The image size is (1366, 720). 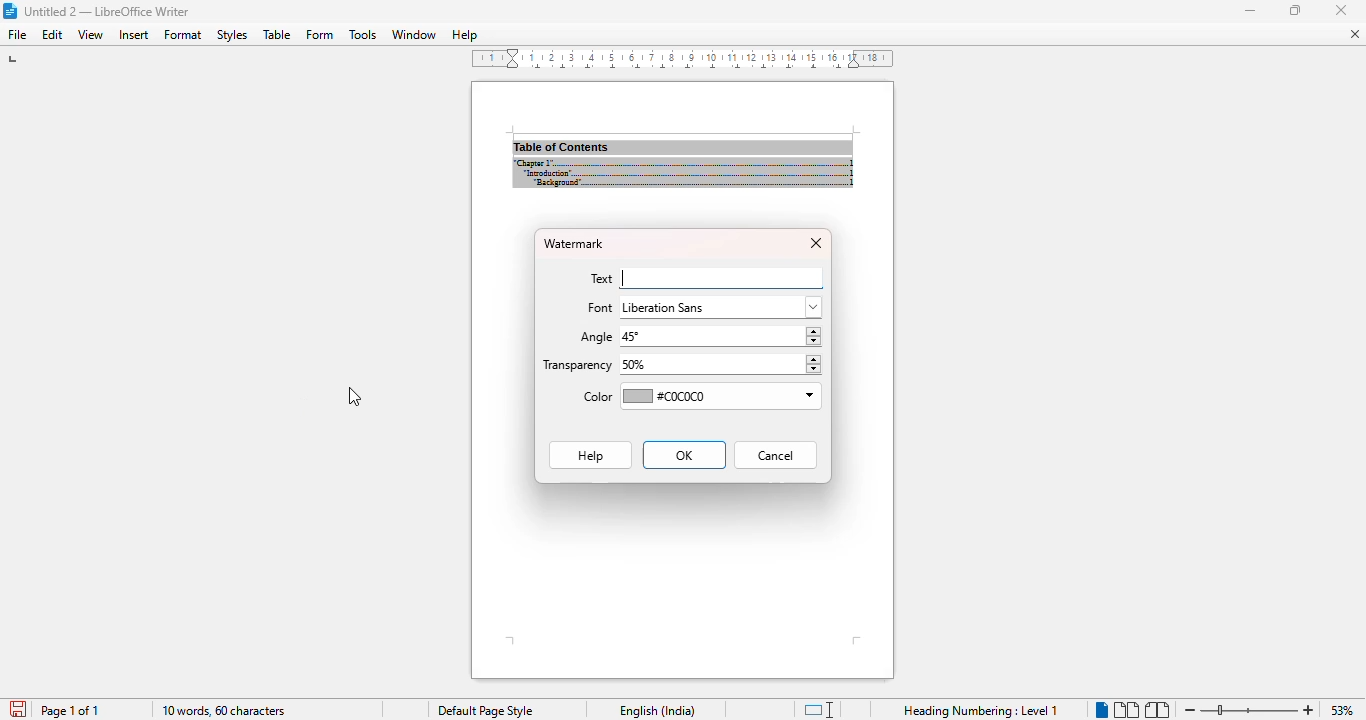 I want to click on cancel, so click(x=777, y=455).